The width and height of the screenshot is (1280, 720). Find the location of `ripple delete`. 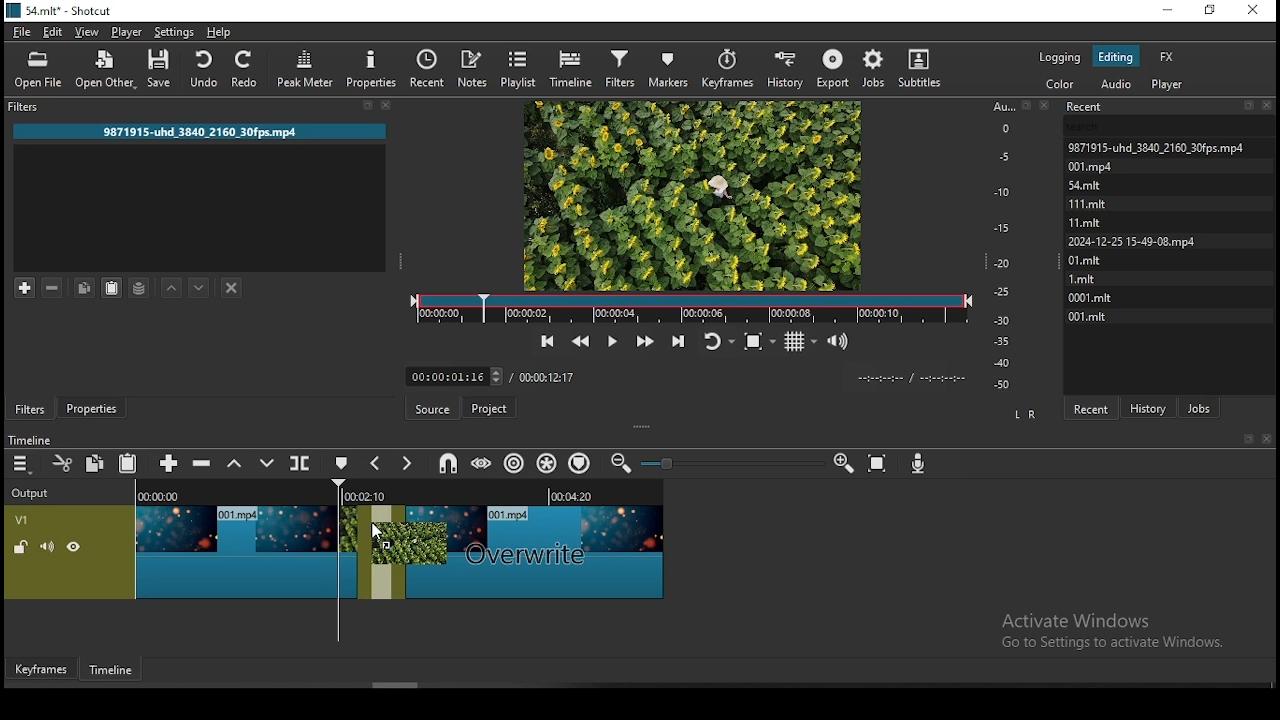

ripple delete is located at coordinates (201, 462).